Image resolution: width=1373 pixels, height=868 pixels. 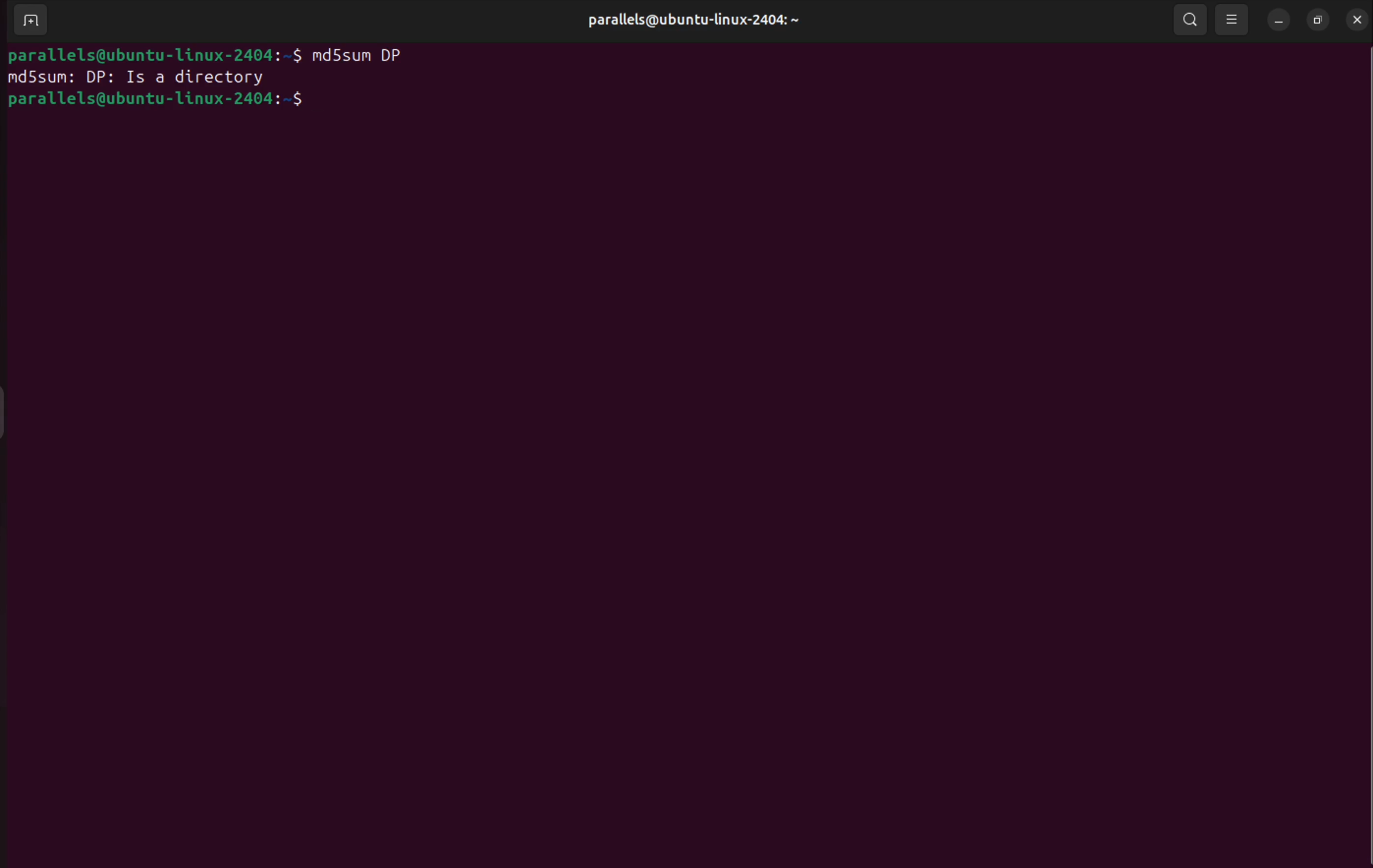 I want to click on minimize, so click(x=1279, y=21).